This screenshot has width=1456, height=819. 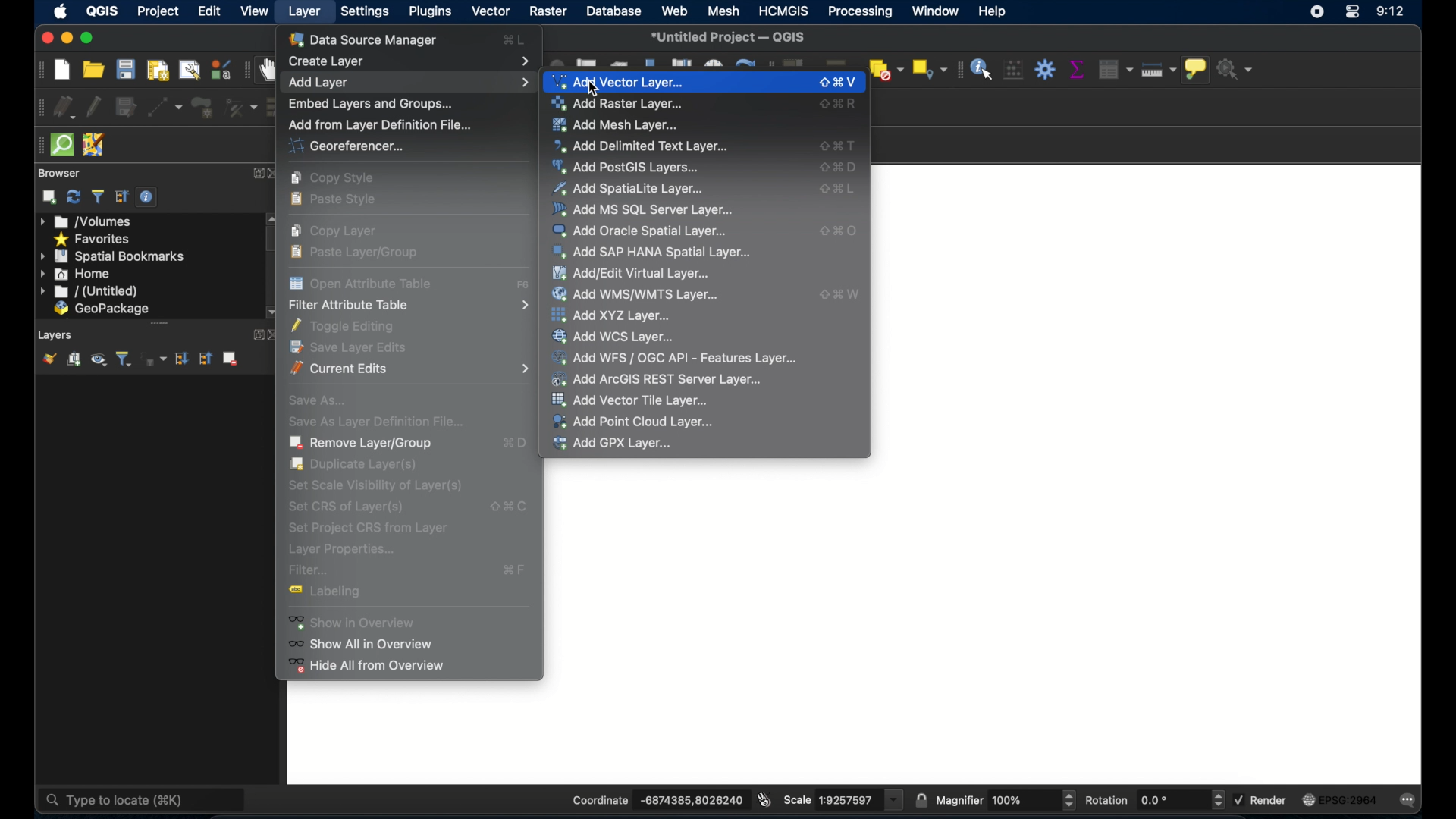 What do you see at coordinates (302, 11) in the screenshot?
I see `layer` at bounding box center [302, 11].